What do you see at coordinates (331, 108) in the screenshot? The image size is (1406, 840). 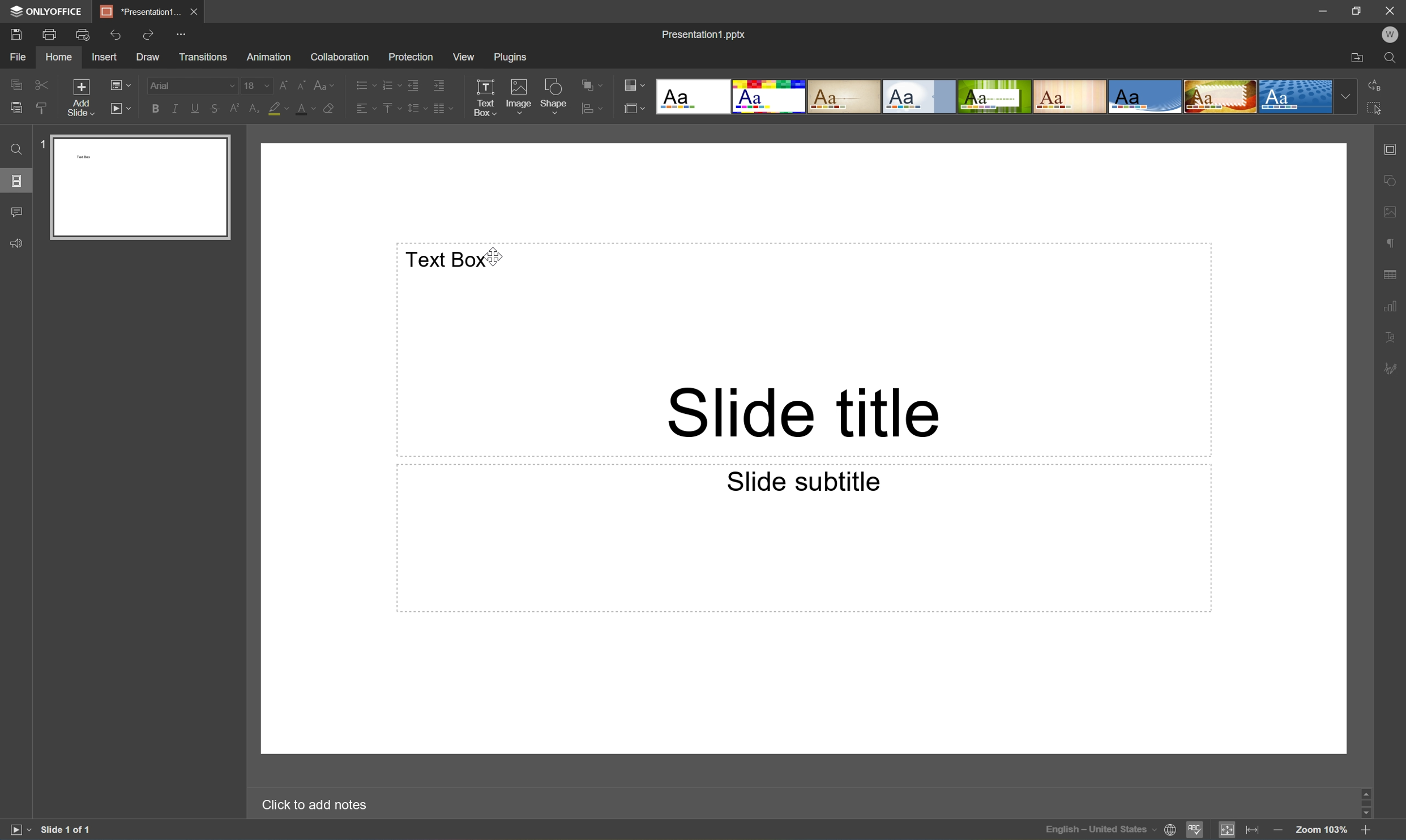 I see `Clear style` at bounding box center [331, 108].